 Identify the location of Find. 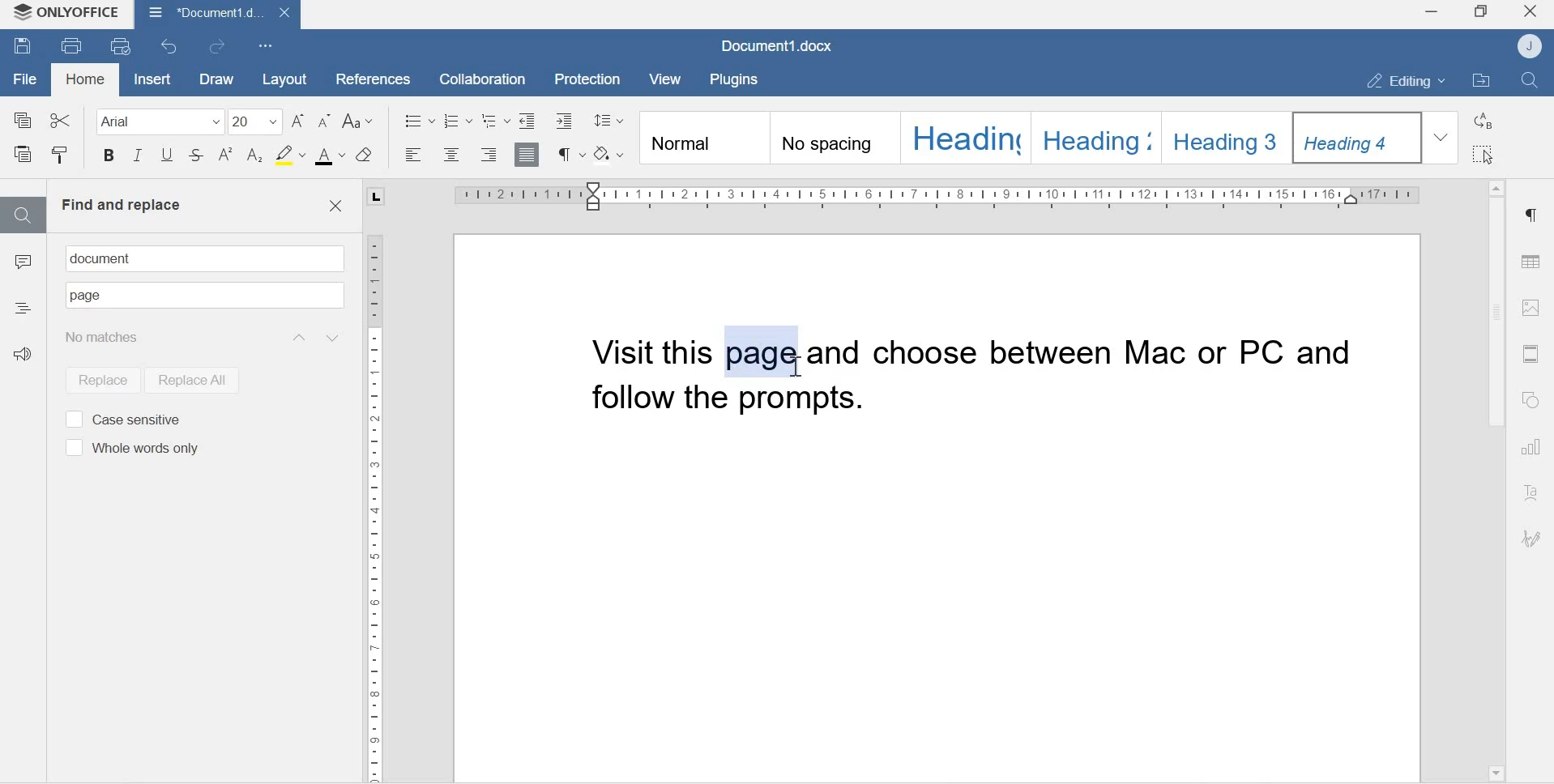
(1533, 81).